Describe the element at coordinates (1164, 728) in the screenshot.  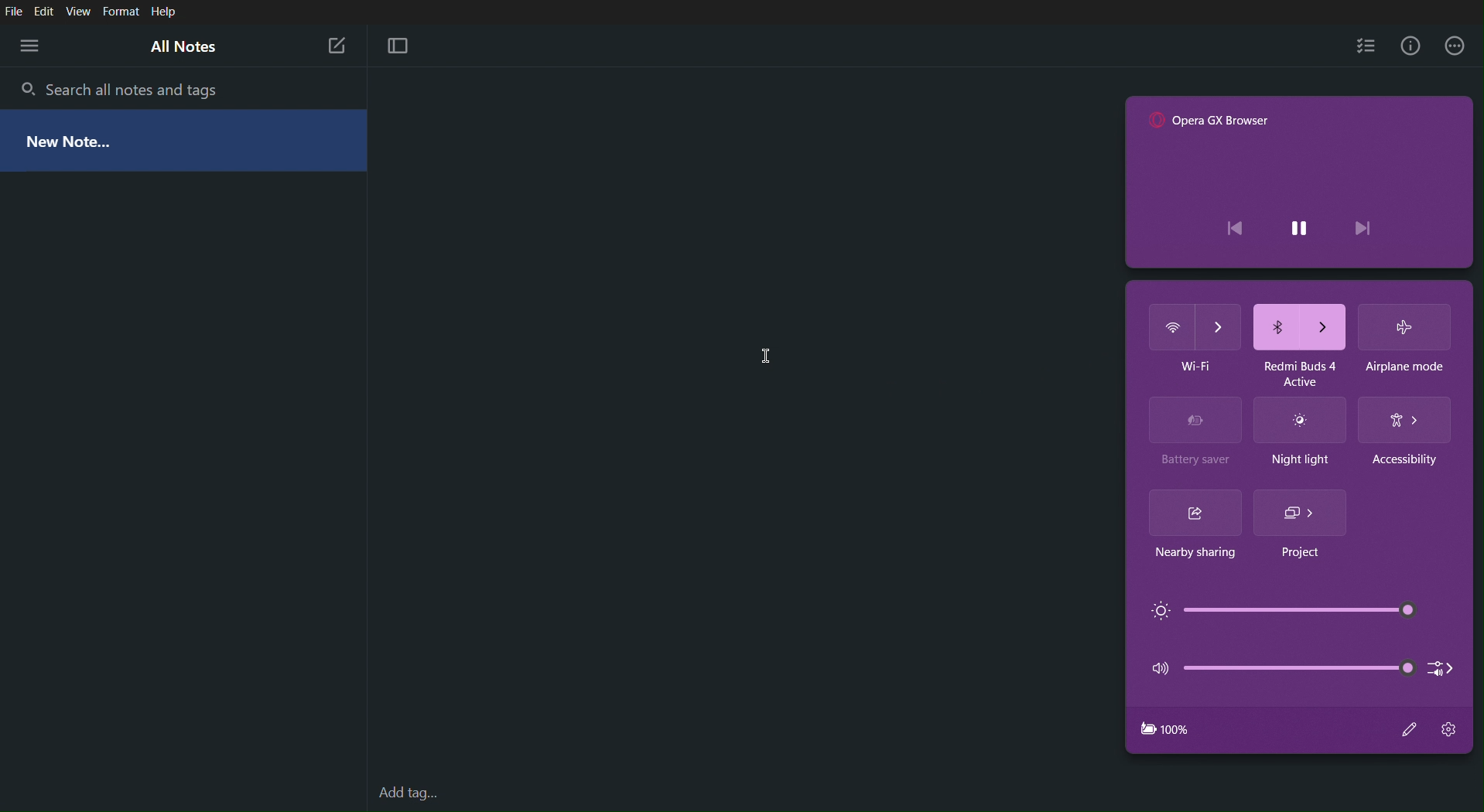
I see `Charging` at that location.